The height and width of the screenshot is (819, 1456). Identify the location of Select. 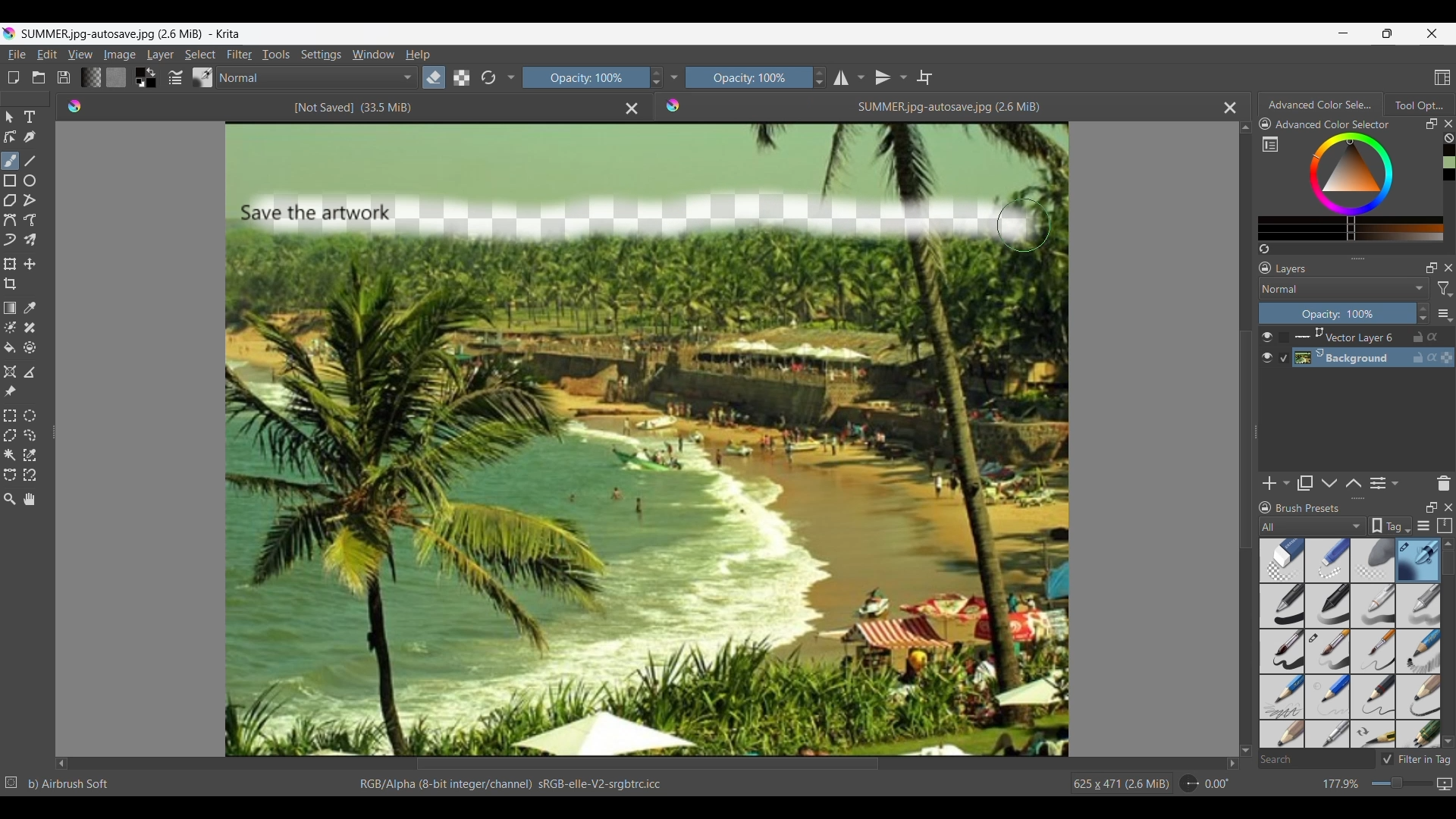
(200, 55).